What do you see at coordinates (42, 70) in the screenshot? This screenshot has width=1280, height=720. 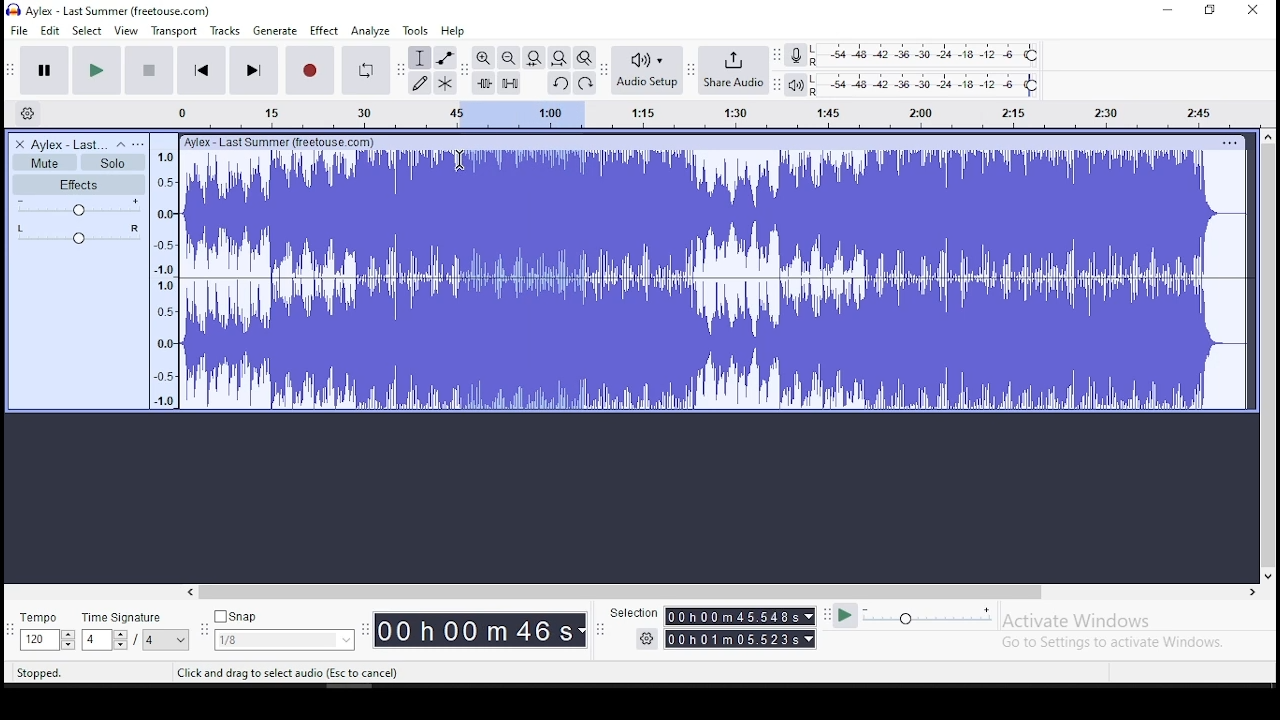 I see `pause` at bounding box center [42, 70].